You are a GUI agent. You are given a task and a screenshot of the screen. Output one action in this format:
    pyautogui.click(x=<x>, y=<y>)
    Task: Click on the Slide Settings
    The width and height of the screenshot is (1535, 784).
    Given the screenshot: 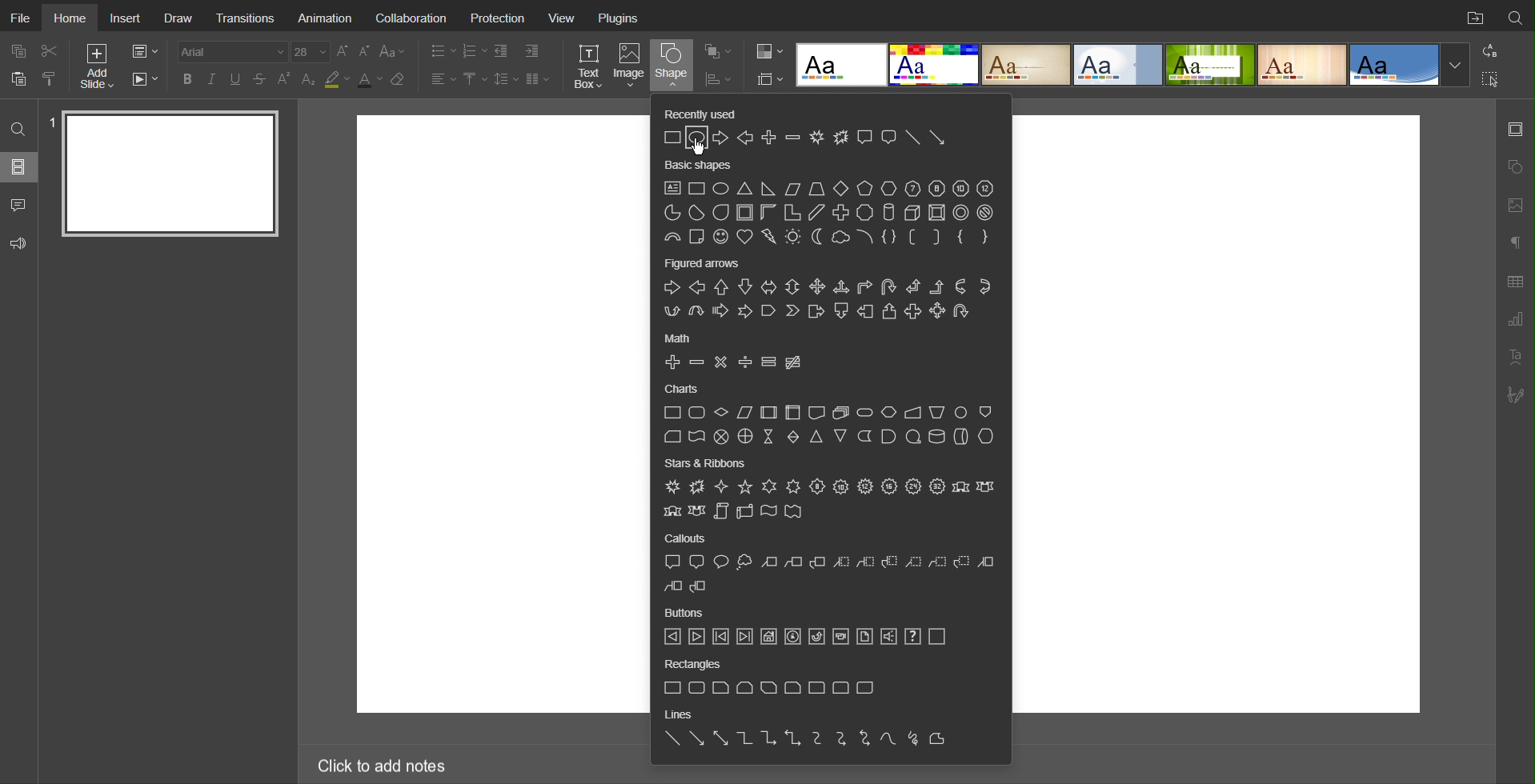 What is the action you would take?
    pyautogui.click(x=767, y=79)
    